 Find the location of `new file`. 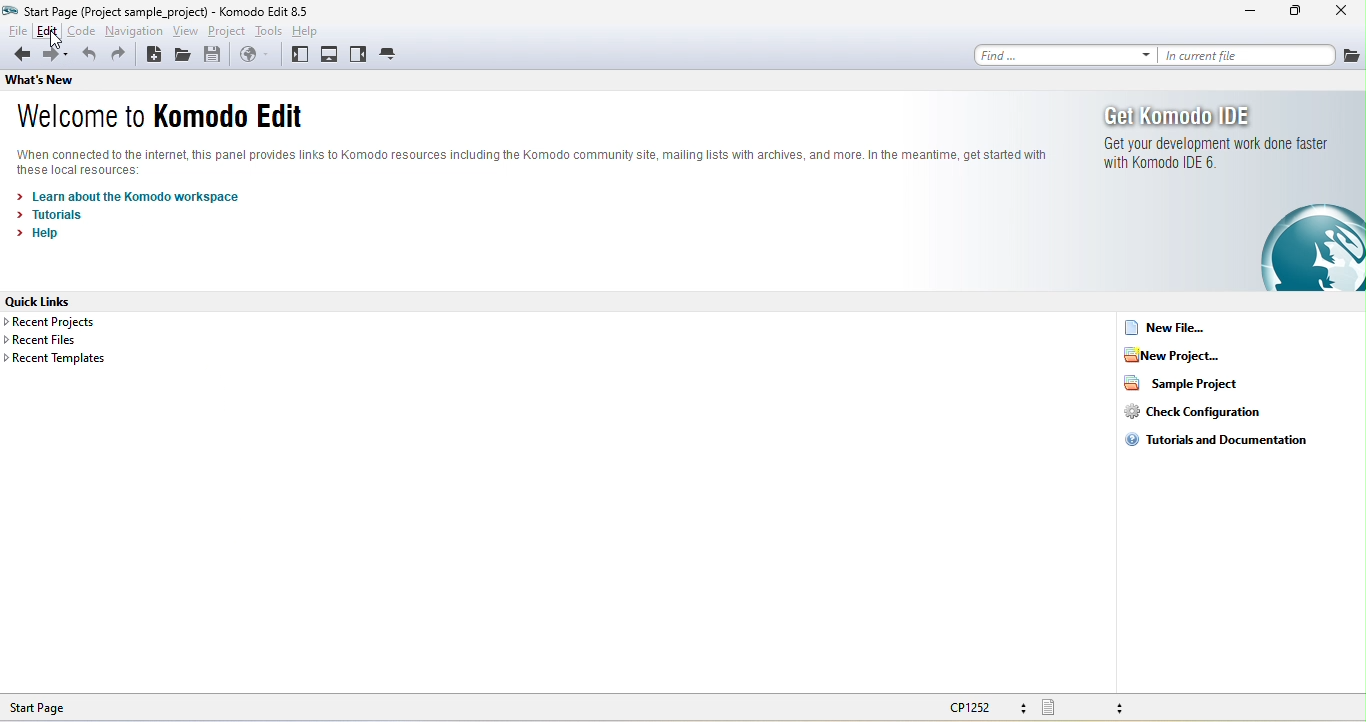

new file is located at coordinates (1168, 328).